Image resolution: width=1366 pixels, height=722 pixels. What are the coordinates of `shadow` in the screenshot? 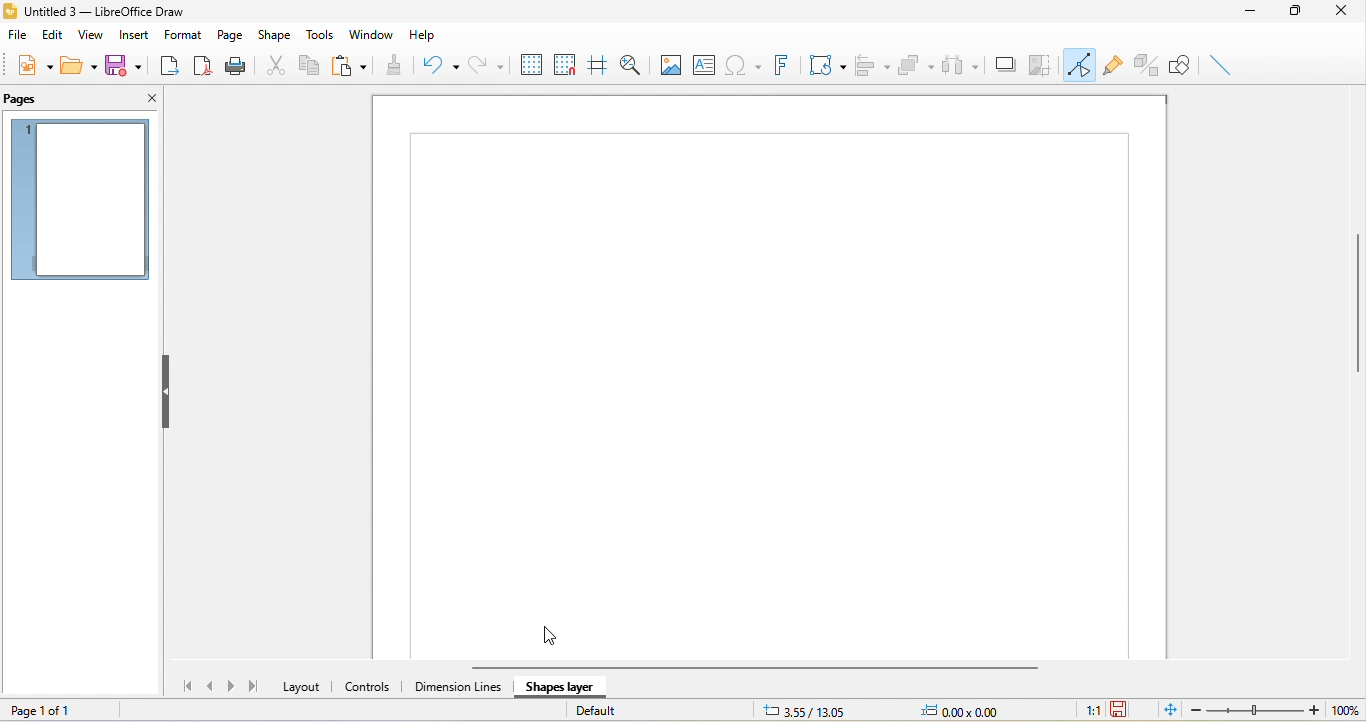 It's located at (1004, 65).